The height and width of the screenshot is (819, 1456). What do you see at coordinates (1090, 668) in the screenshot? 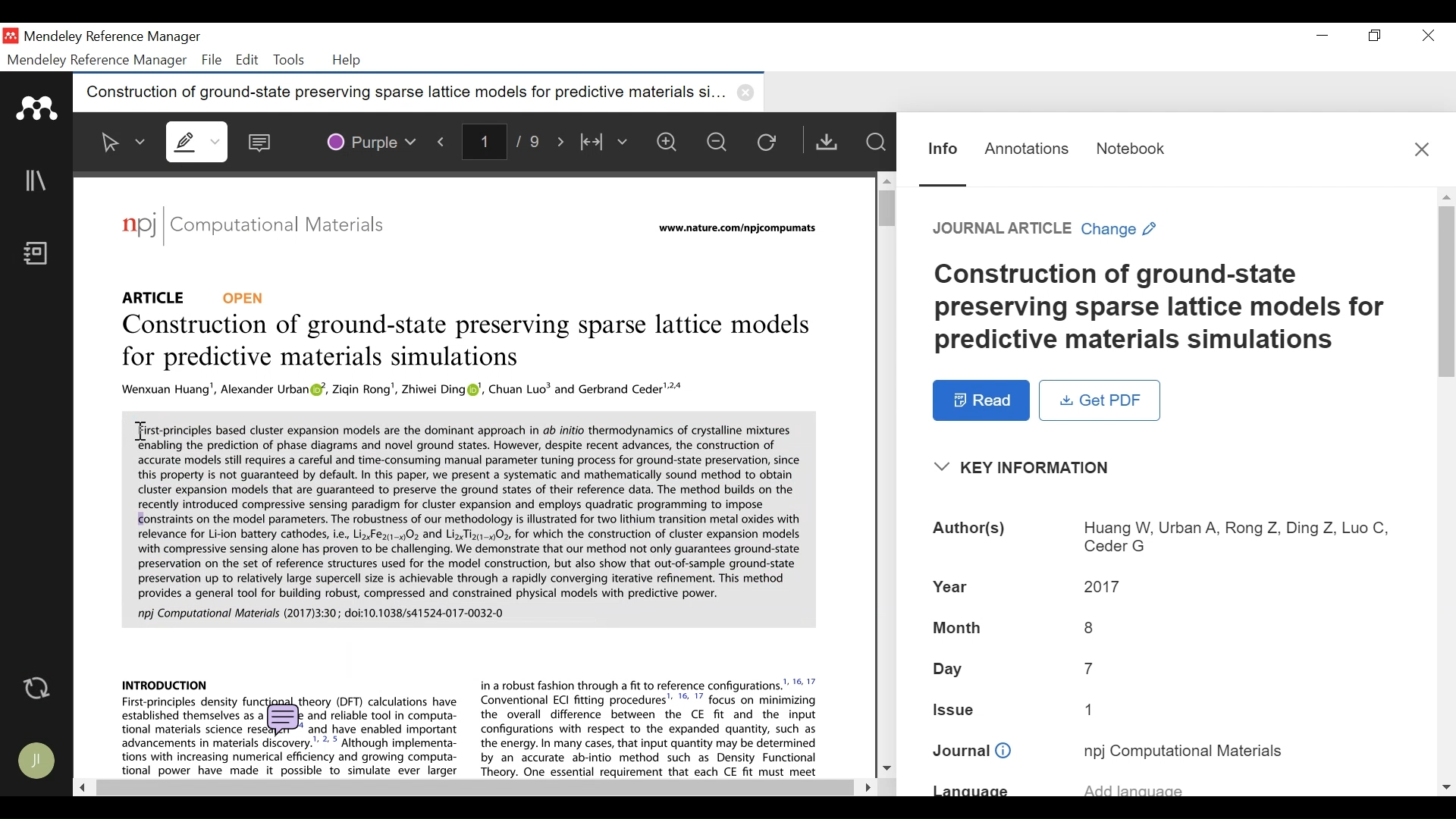
I see `Day` at bounding box center [1090, 668].